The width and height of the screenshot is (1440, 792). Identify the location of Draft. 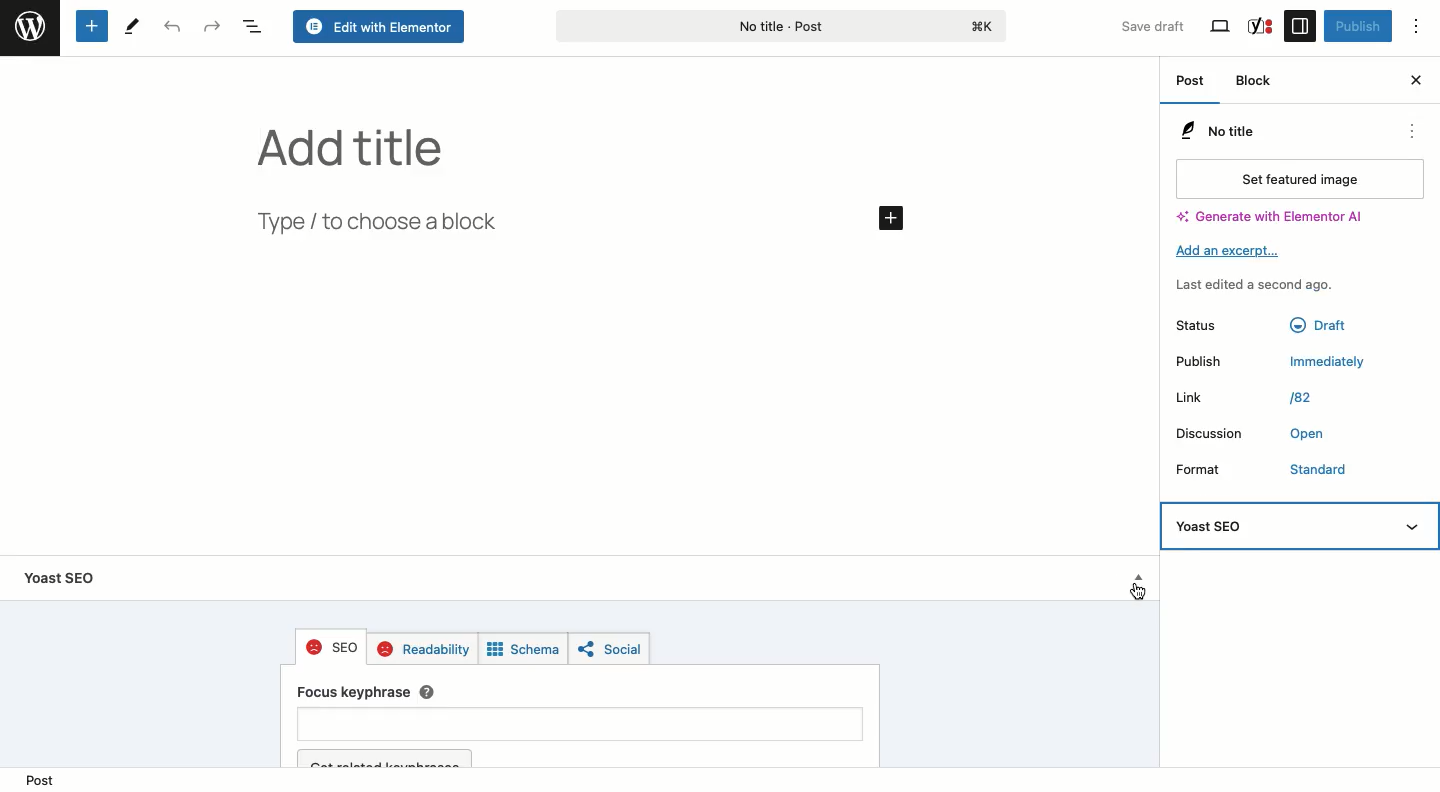
(1316, 322).